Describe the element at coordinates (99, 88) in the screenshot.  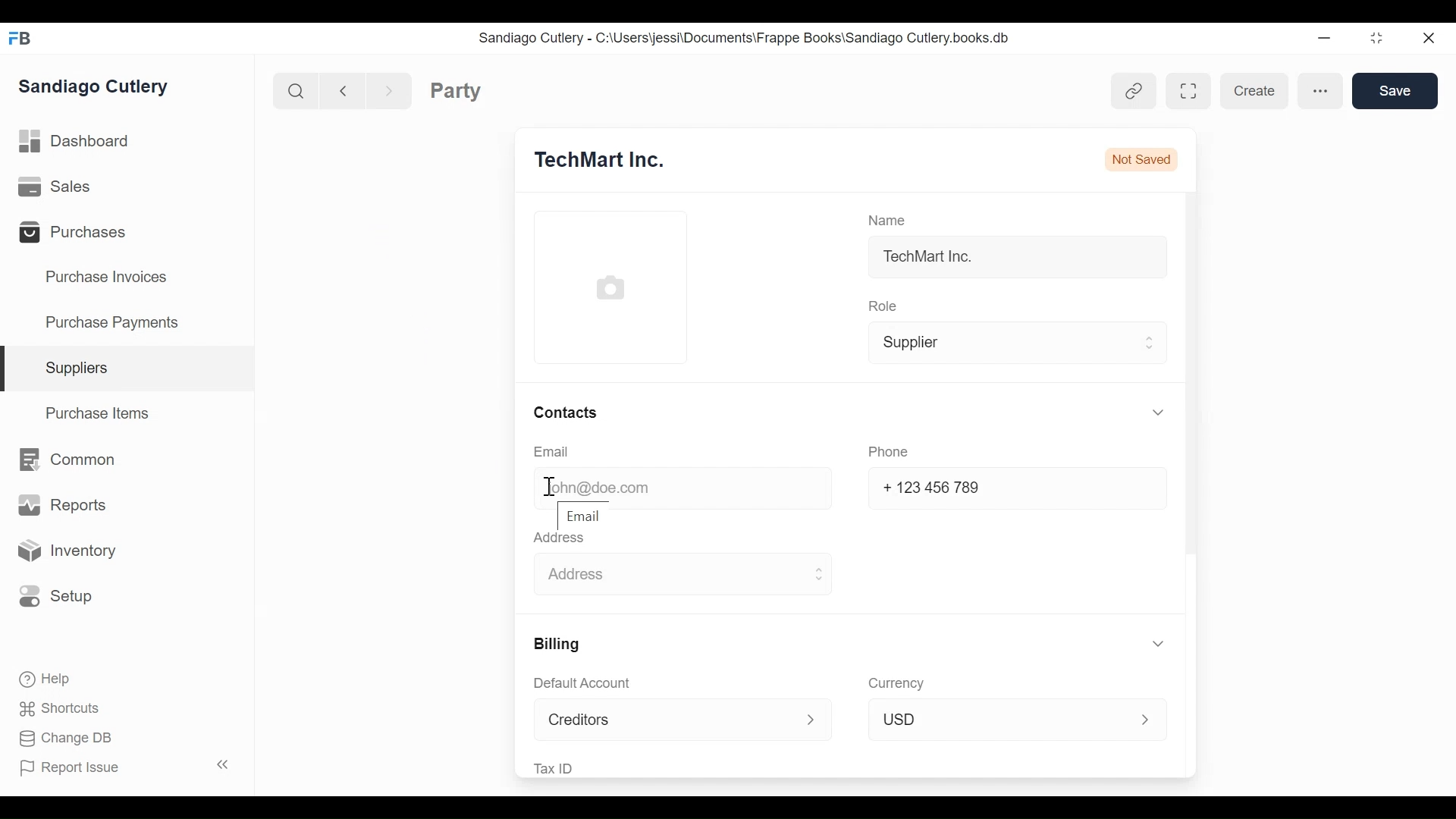
I see `Sandiago Cutlery` at that location.